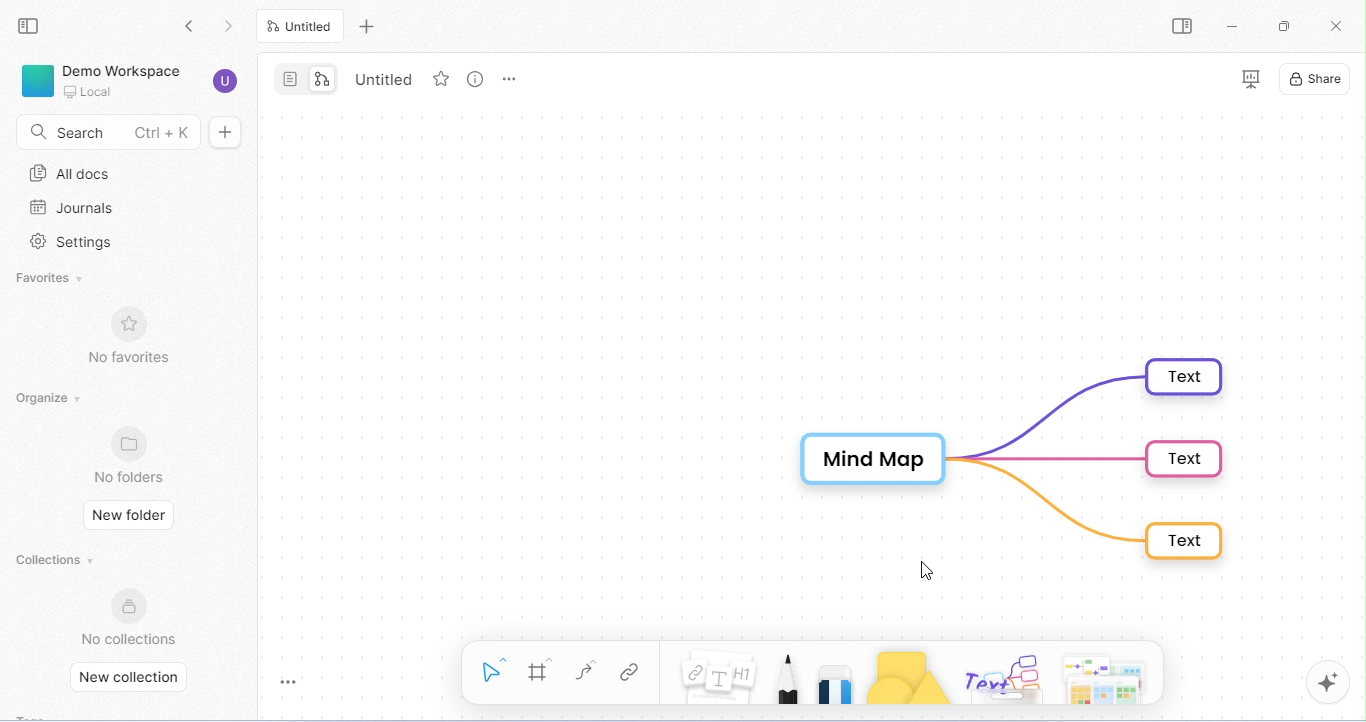 The image size is (1366, 722). Describe the element at coordinates (48, 399) in the screenshot. I see `organize` at that location.